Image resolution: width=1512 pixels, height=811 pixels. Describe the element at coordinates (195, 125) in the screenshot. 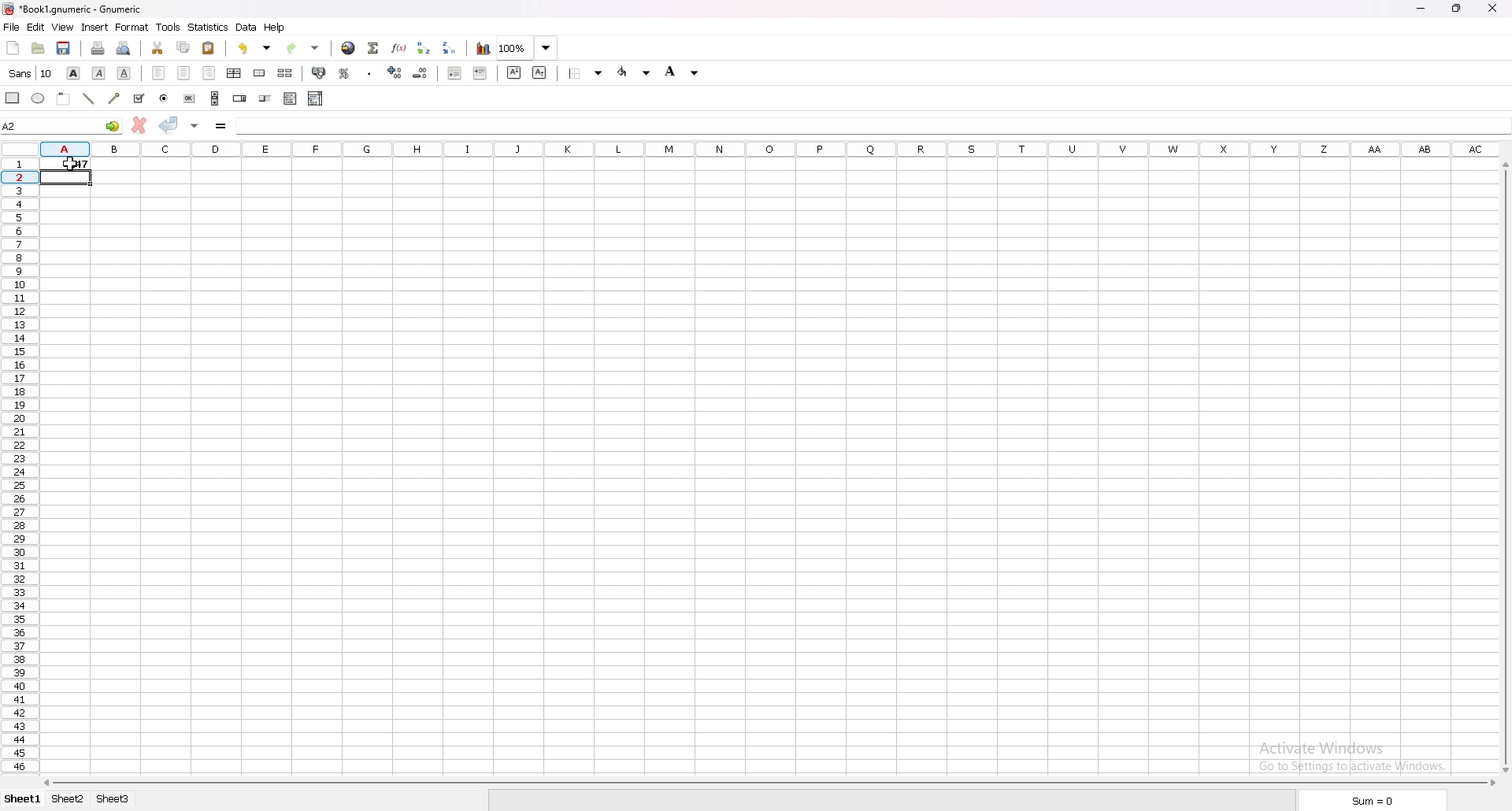

I see `accept changes in all cells` at that location.